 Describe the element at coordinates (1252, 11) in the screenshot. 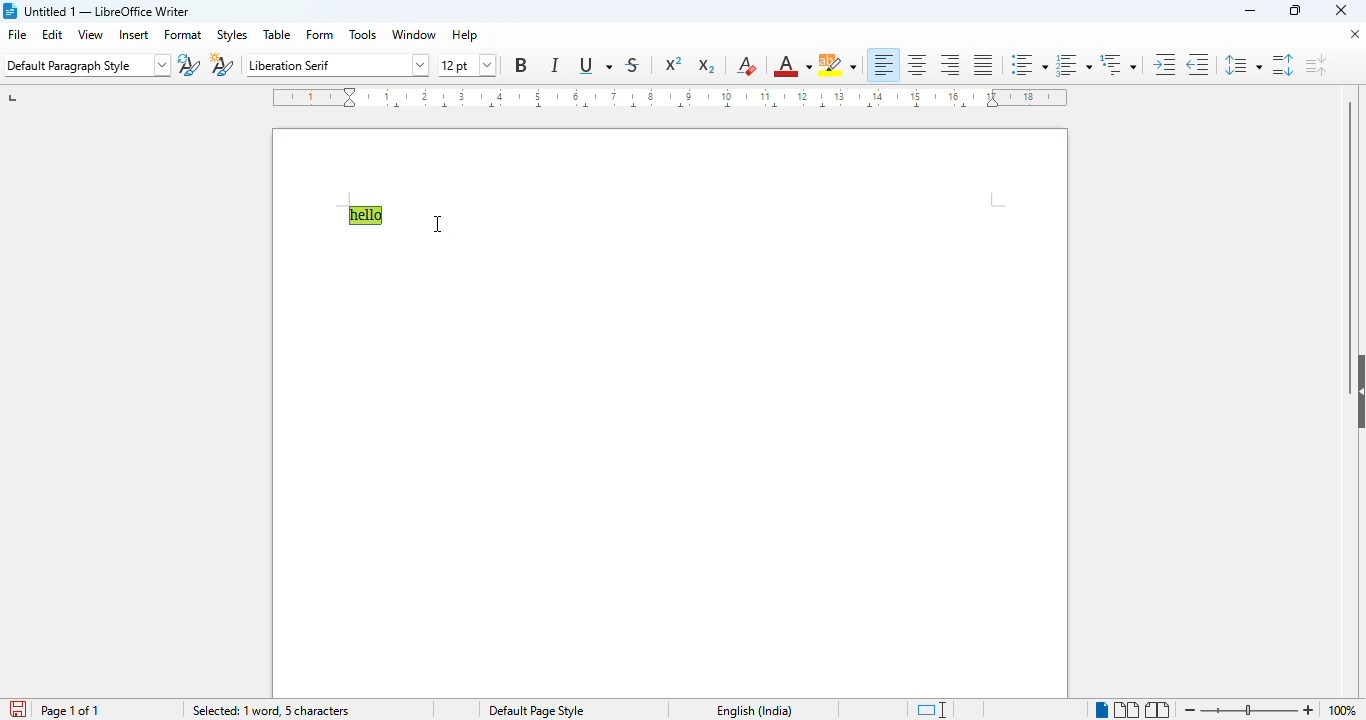

I see `minimize` at that location.